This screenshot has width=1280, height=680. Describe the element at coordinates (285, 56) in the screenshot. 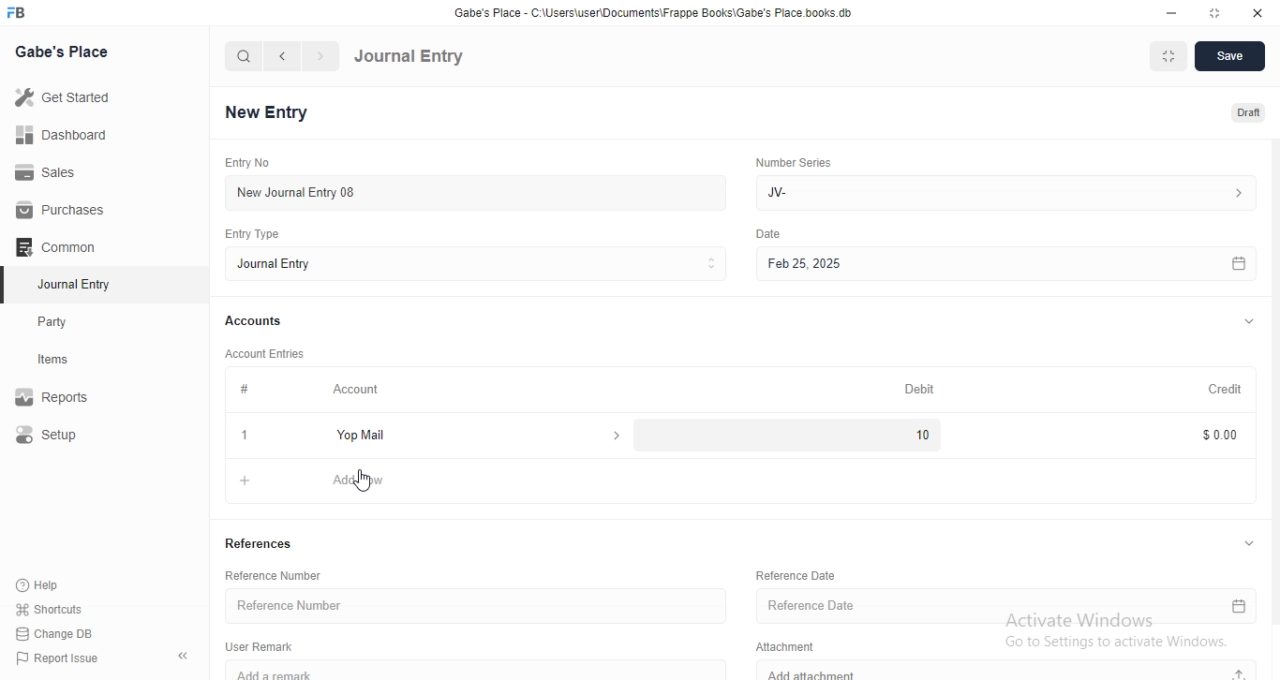

I see `navigate backward` at that location.